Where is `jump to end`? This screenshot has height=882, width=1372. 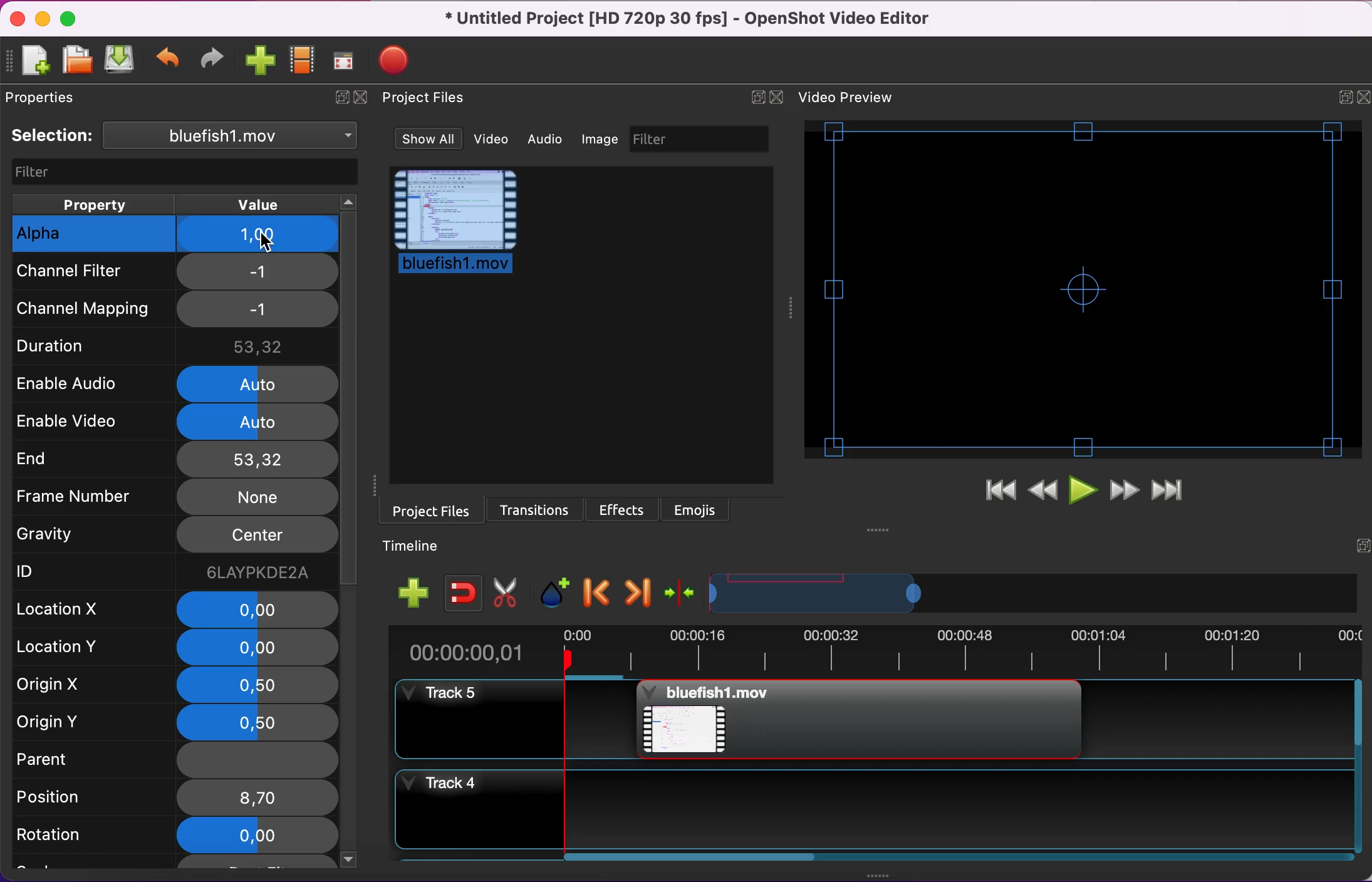
jump to end is located at coordinates (1177, 489).